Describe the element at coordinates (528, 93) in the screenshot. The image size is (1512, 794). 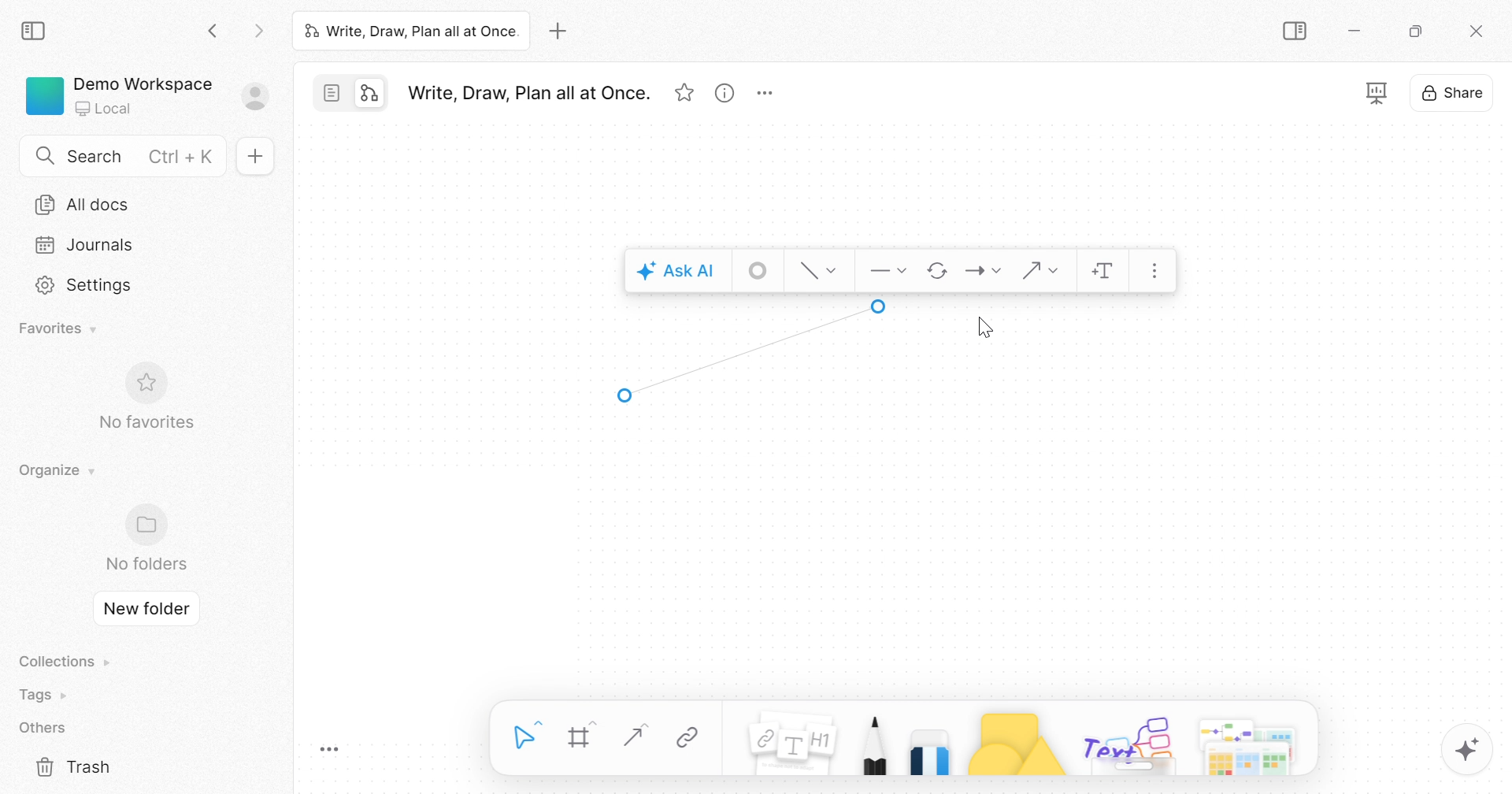
I see `Write, Draw, Plan all at Once.` at that location.